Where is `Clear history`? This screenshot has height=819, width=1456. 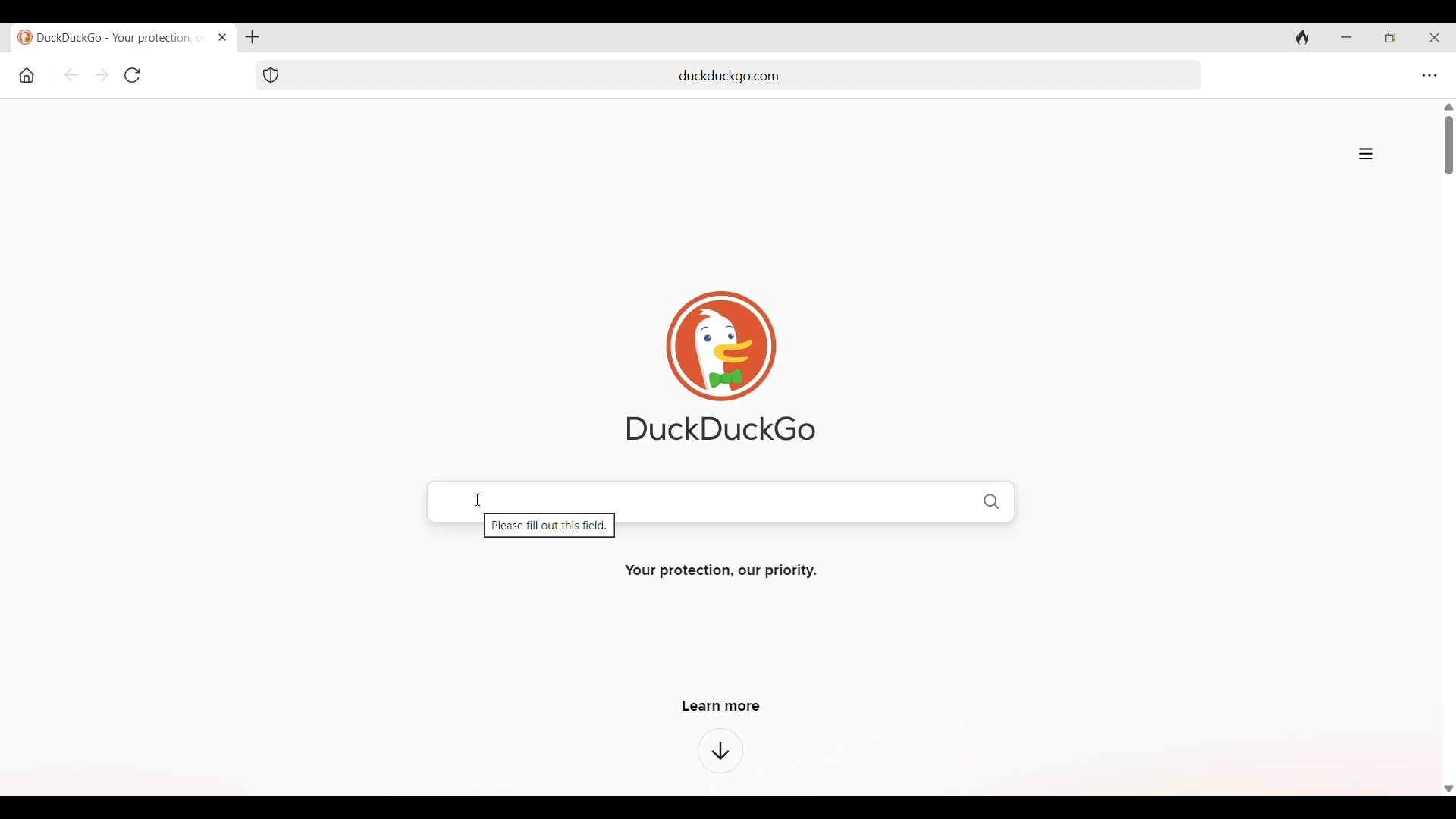
Clear history is located at coordinates (1303, 37).